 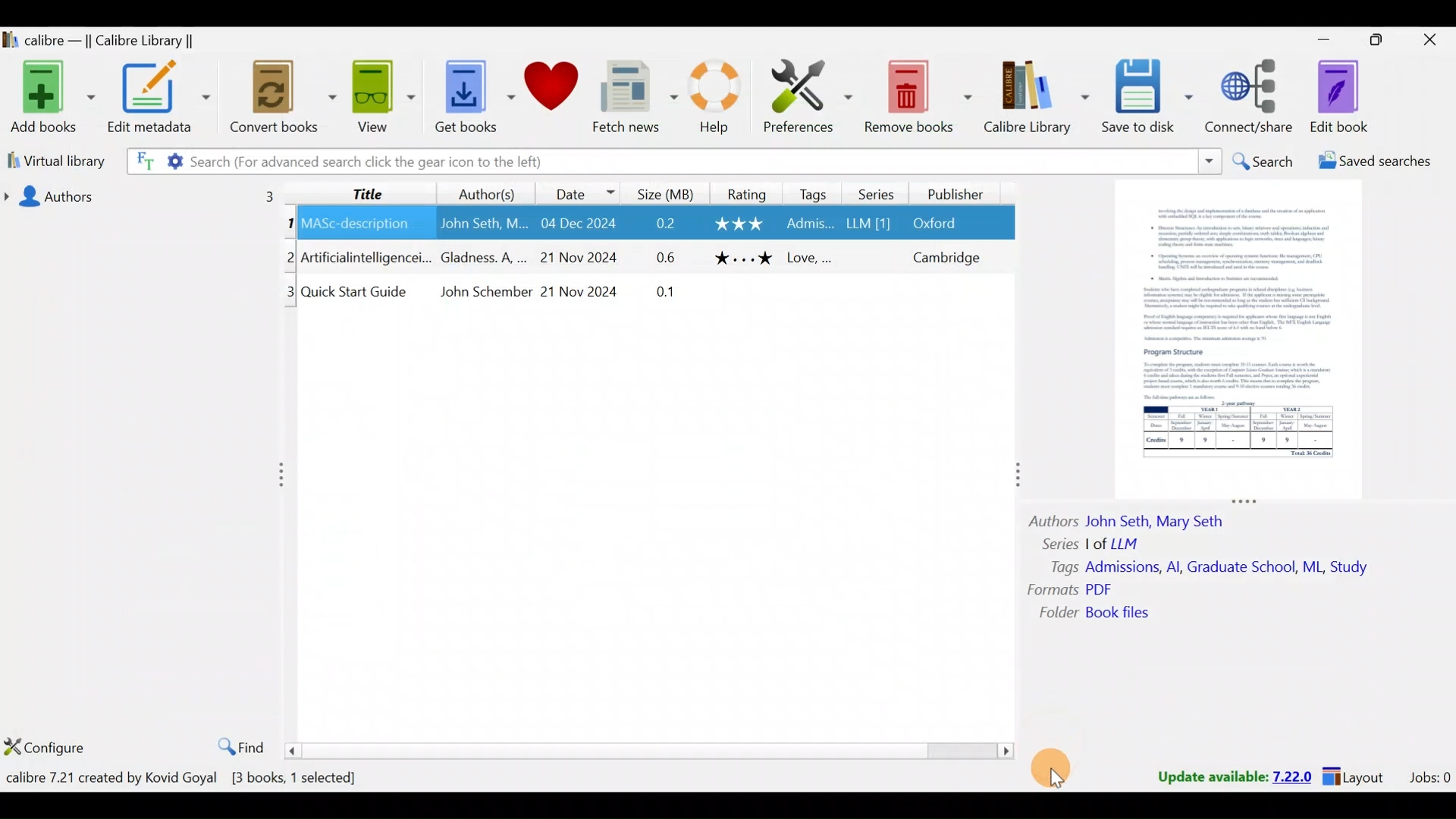 I want to click on , so click(x=742, y=259).